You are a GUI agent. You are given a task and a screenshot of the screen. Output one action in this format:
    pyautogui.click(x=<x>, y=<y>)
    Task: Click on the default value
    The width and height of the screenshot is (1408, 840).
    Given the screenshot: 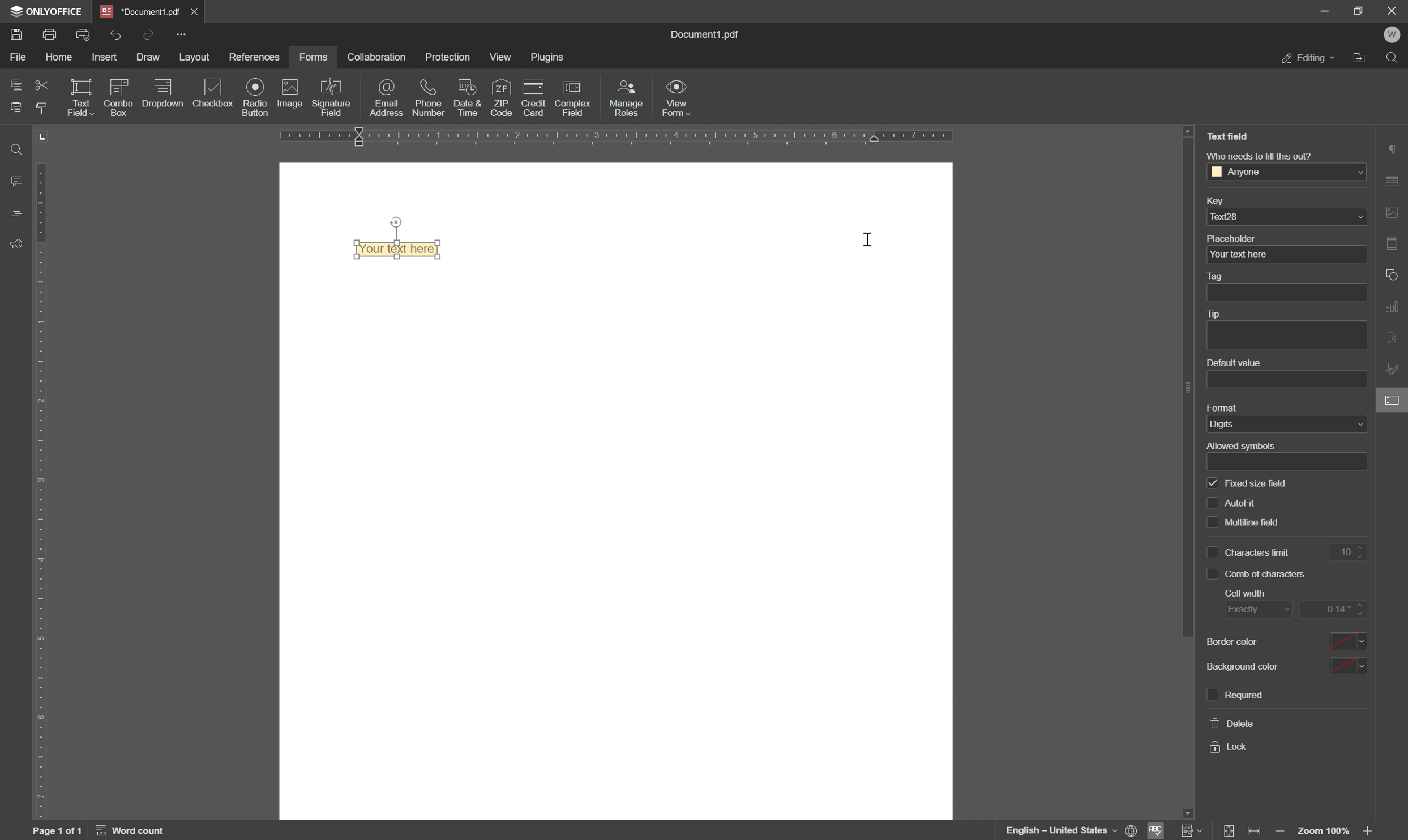 What is the action you would take?
    pyautogui.click(x=1236, y=362)
    